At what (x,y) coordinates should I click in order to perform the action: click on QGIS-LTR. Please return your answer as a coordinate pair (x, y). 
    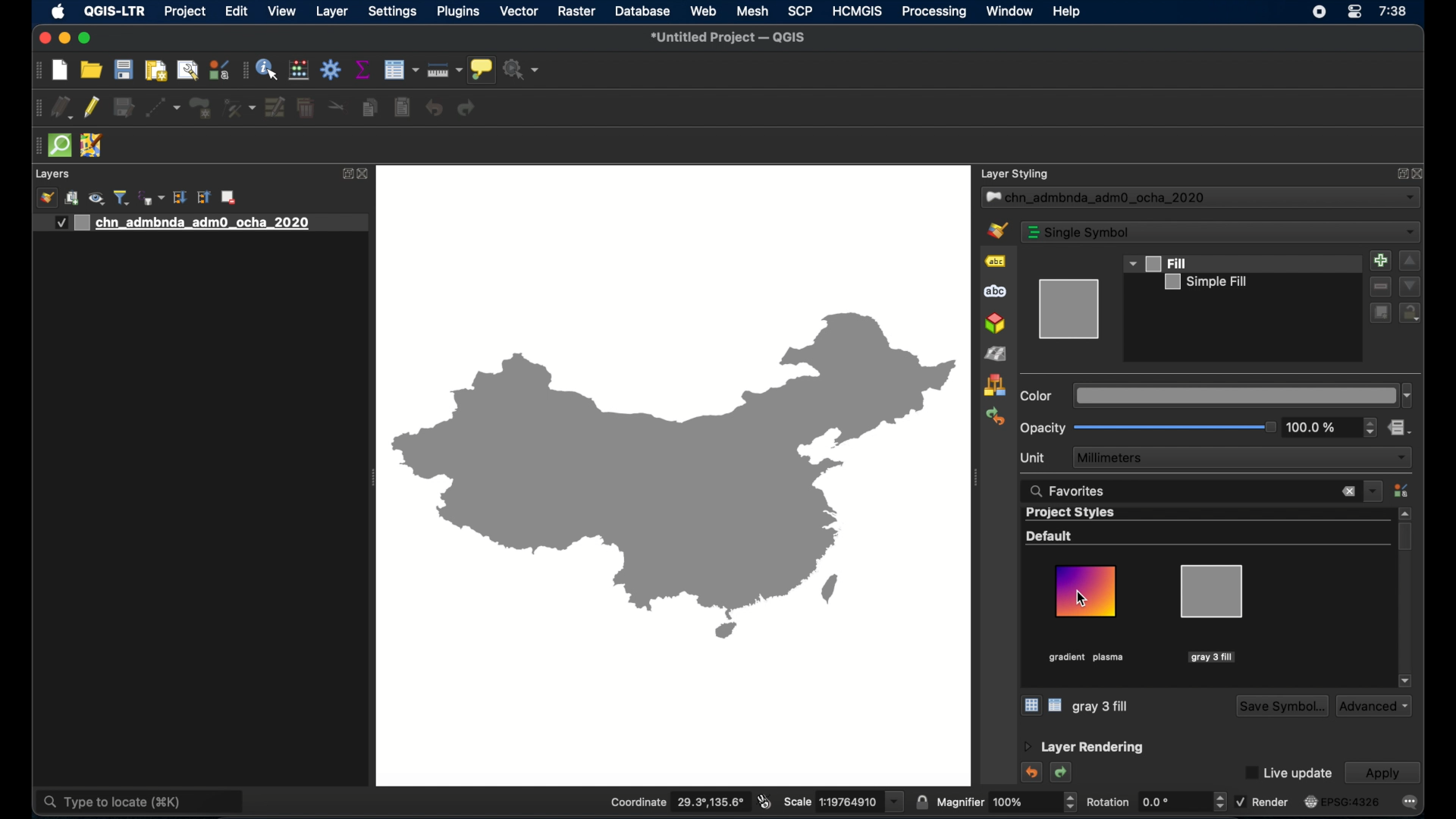
    Looking at the image, I should click on (115, 12).